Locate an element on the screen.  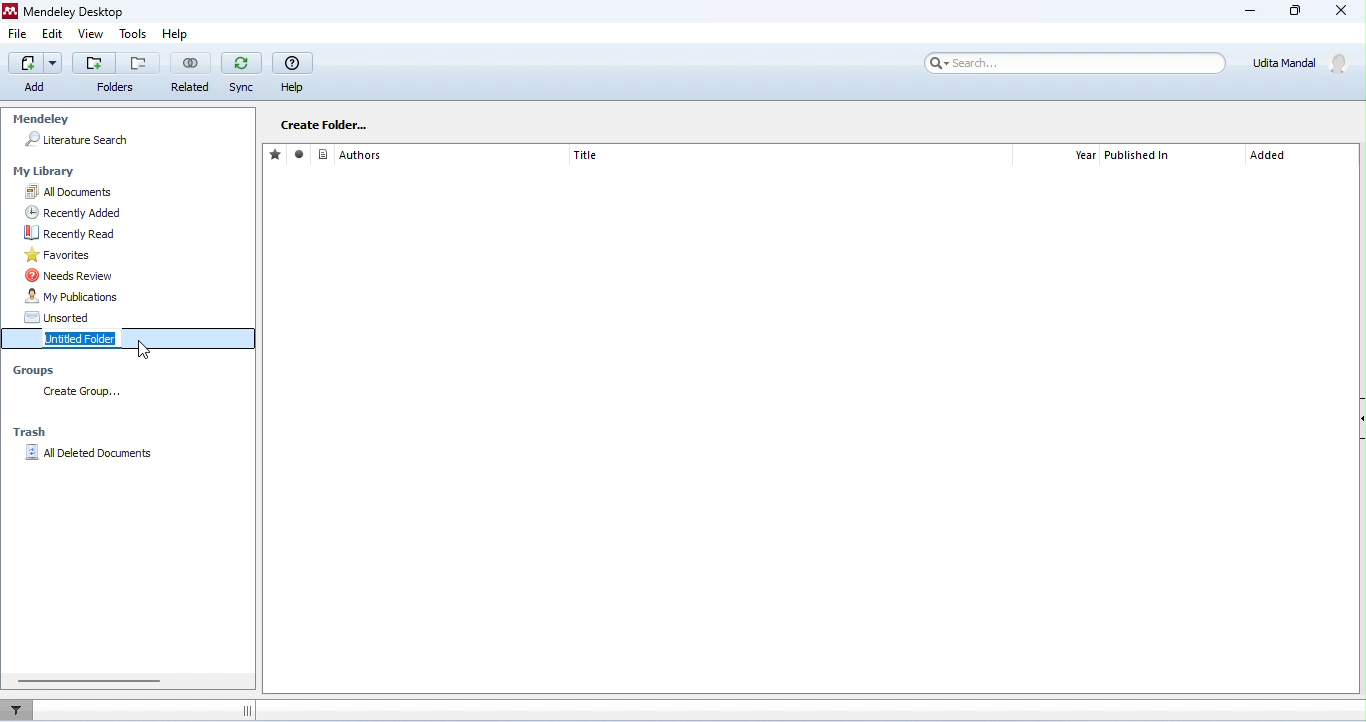
my publication is located at coordinates (137, 297).